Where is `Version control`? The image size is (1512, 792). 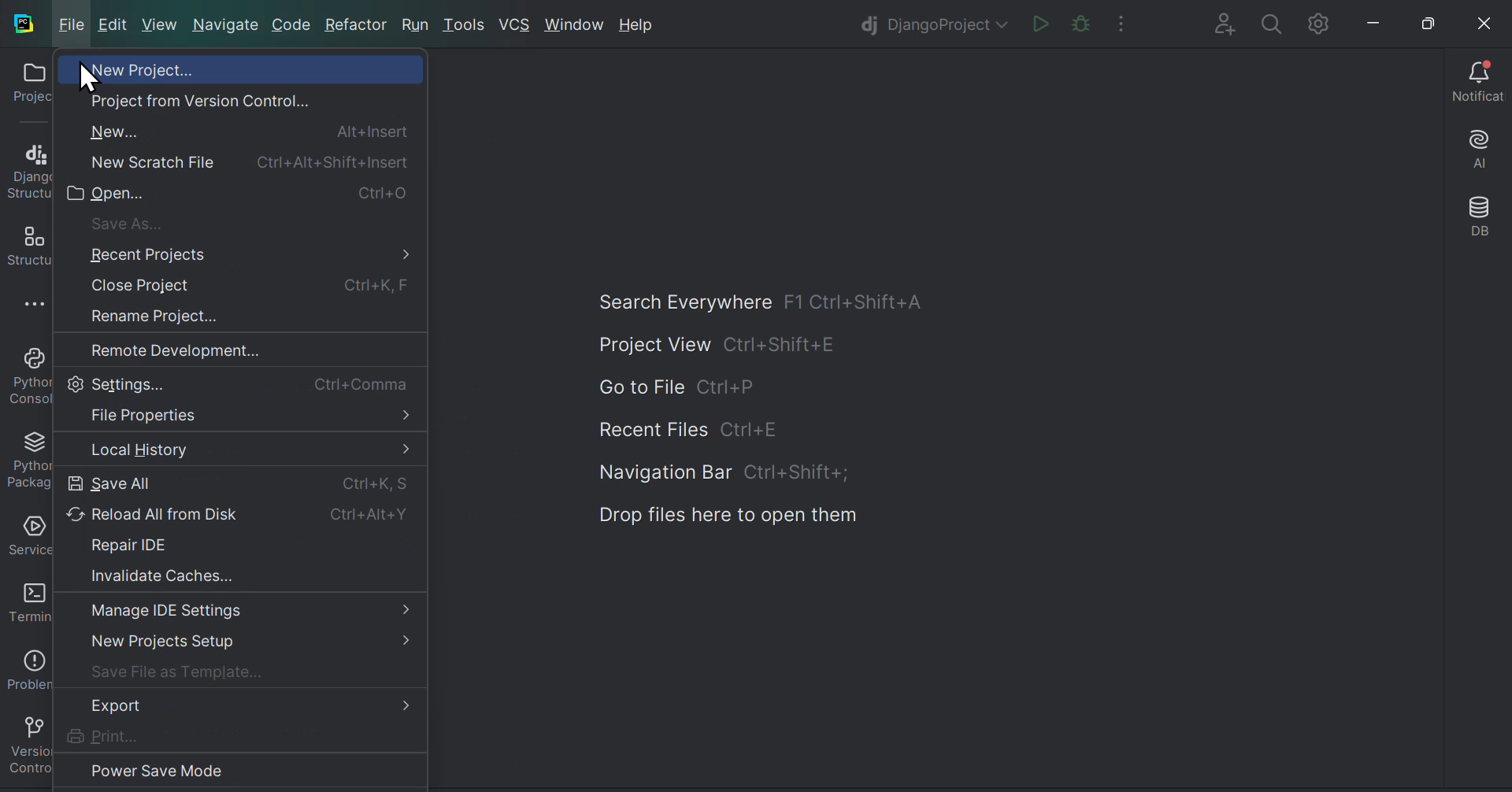
Version control is located at coordinates (30, 746).